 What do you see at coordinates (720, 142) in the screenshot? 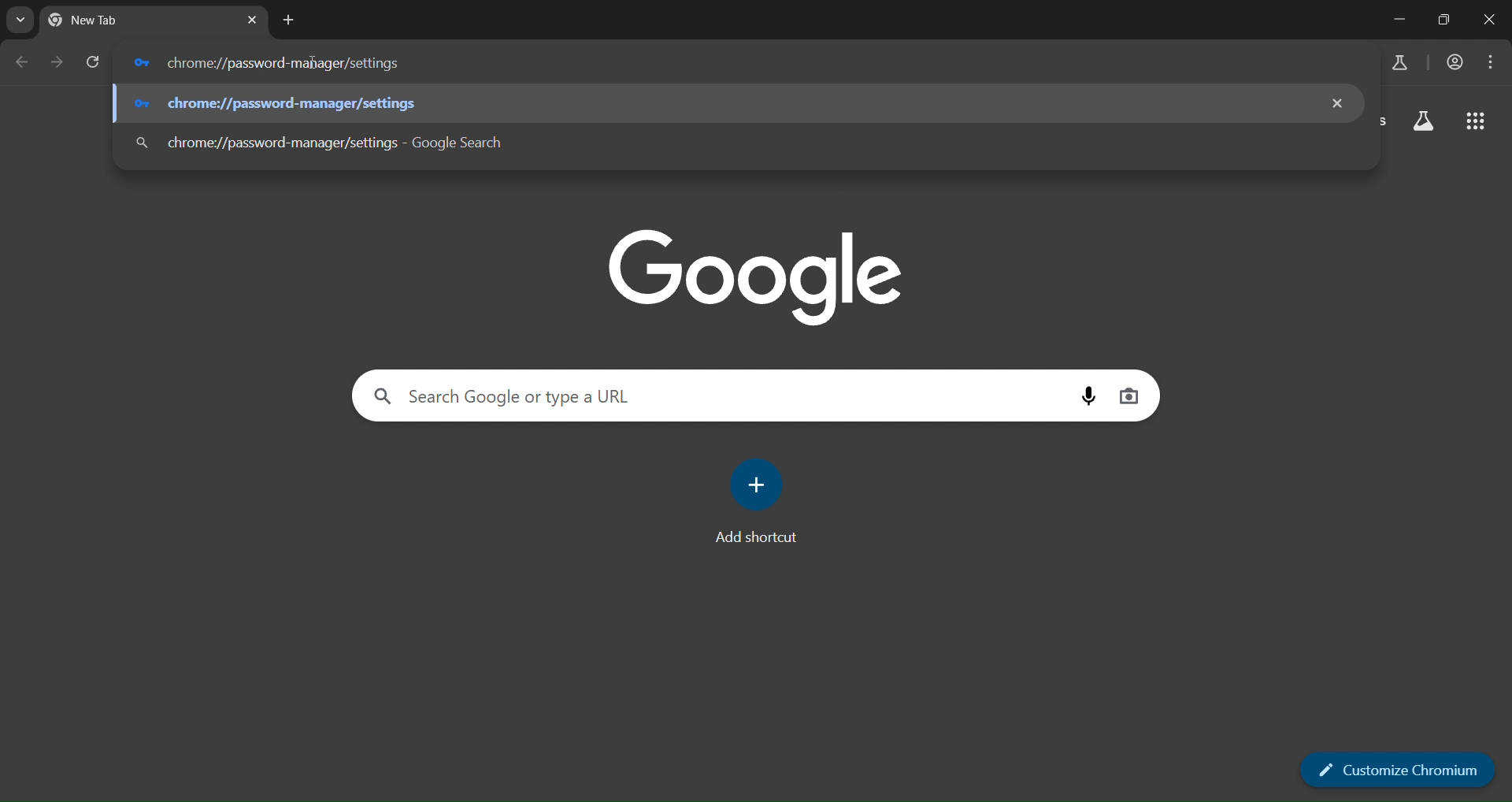
I see `chrome://password-manager/settings` at bounding box center [720, 142].